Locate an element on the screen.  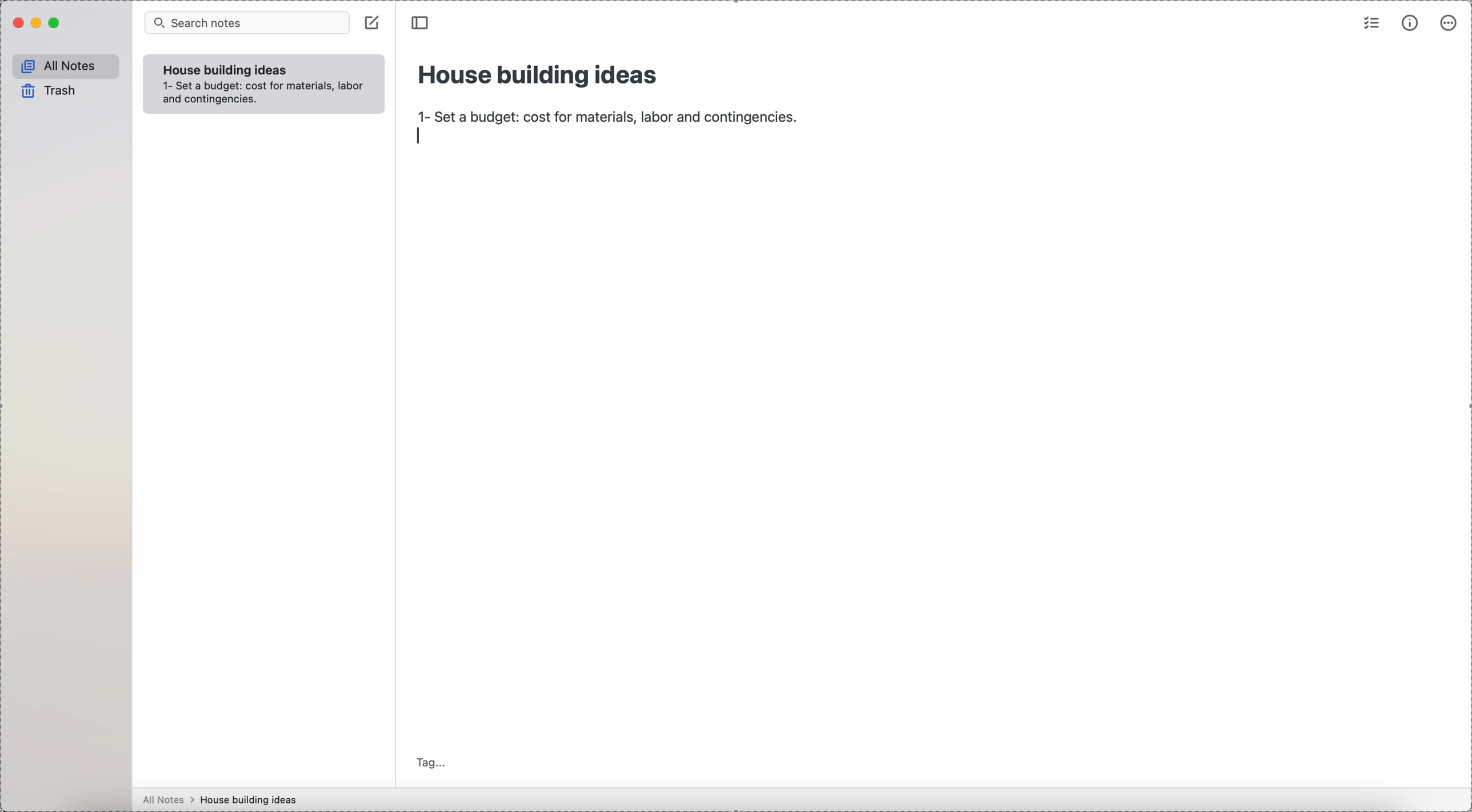
toggle sidebar is located at coordinates (422, 23).